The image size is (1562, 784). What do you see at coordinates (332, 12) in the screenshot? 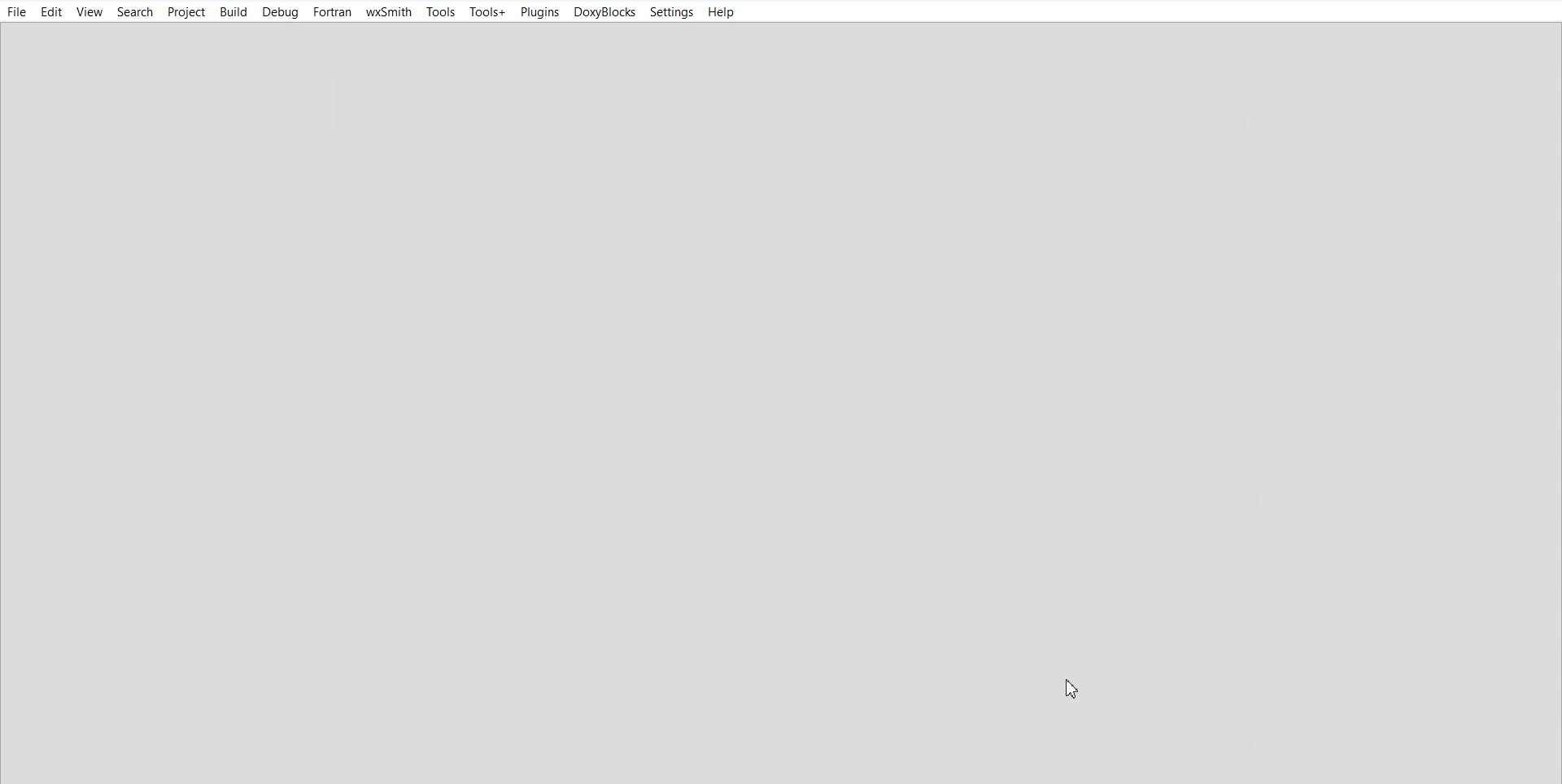
I see `Fortran` at bounding box center [332, 12].